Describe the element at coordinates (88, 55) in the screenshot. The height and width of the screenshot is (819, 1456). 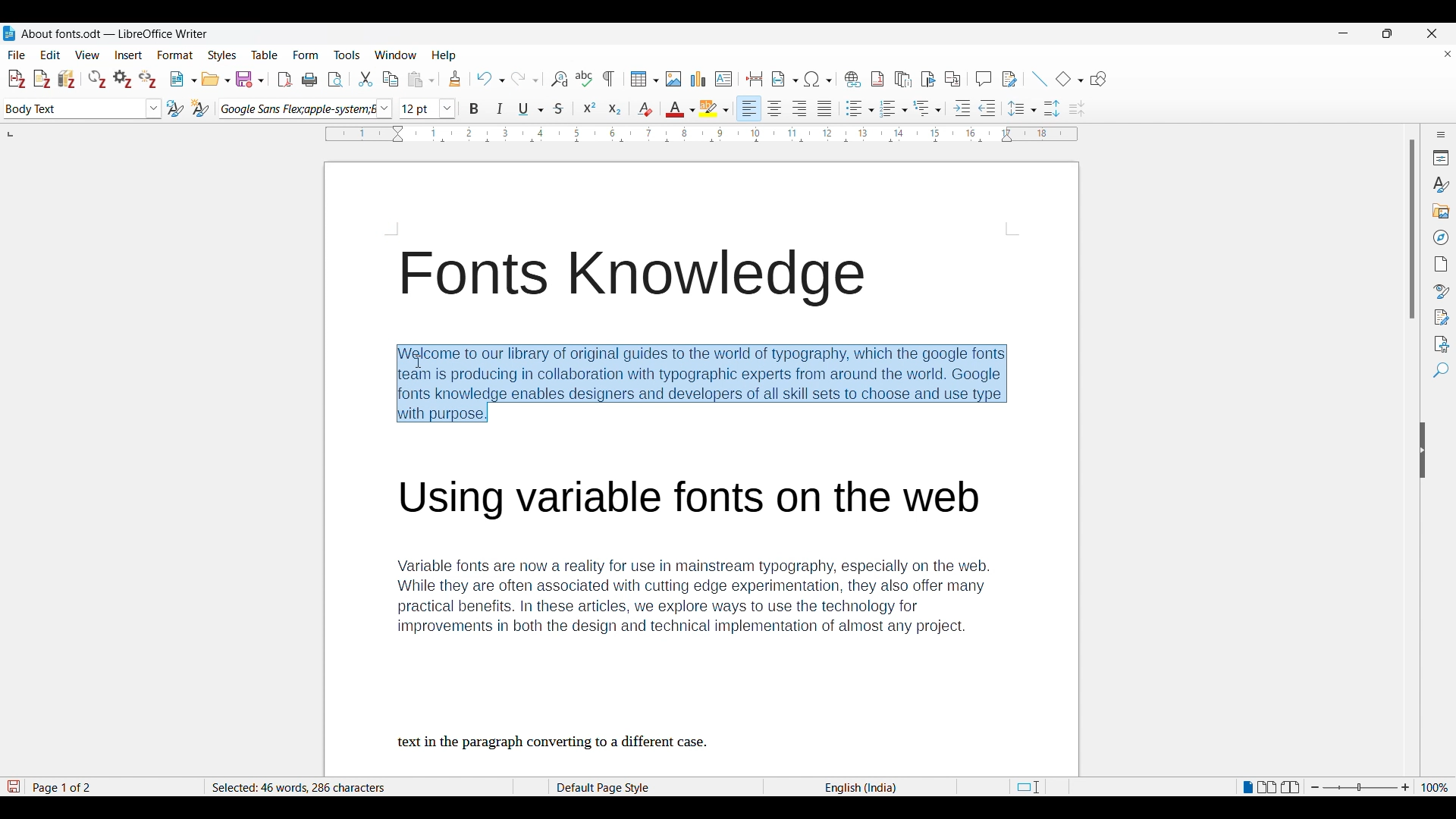
I see `View menu` at that location.